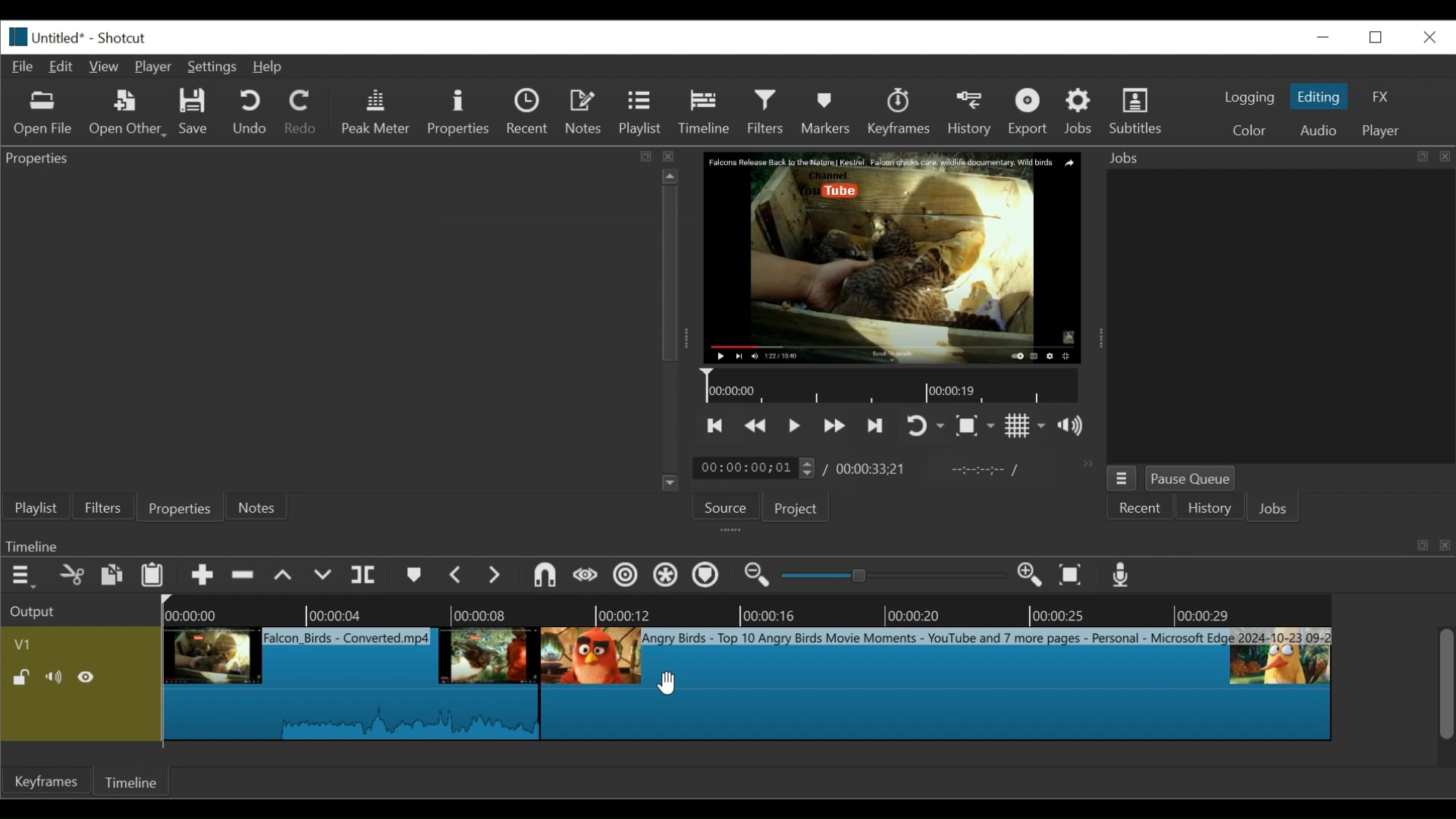 The image size is (1456, 819). I want to click on Filters, so click(767, 111).